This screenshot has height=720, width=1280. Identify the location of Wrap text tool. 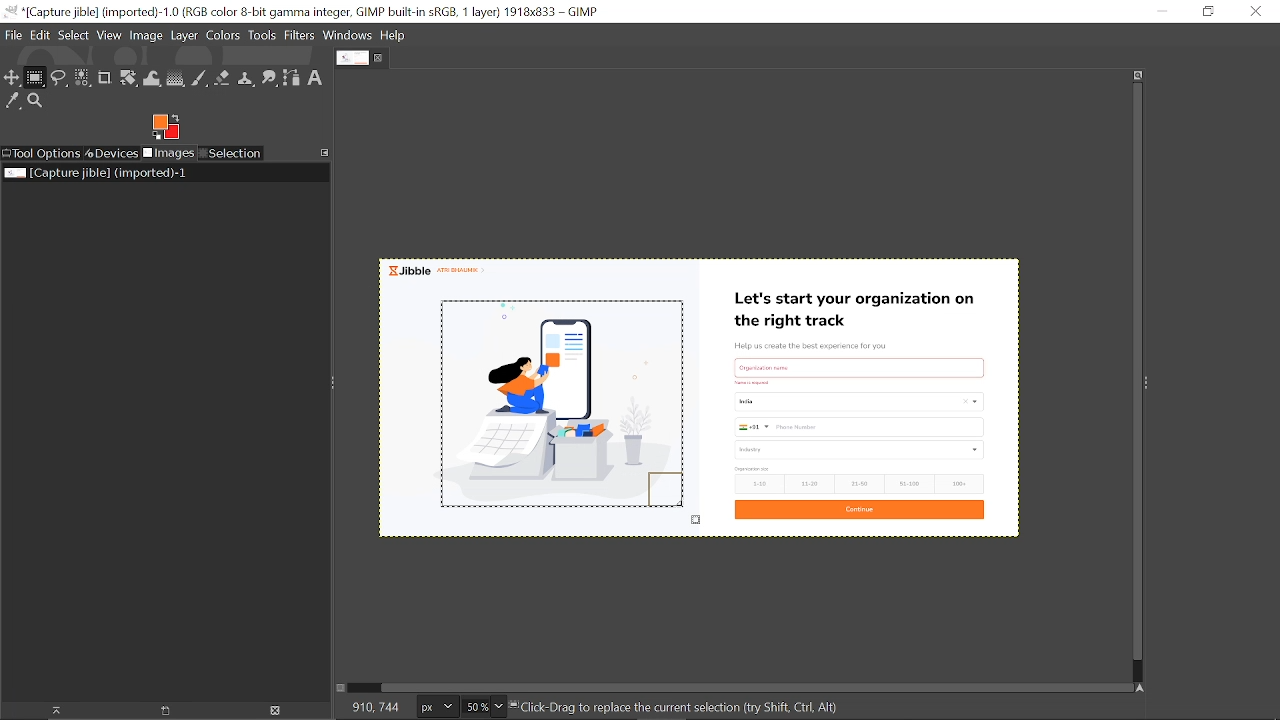
(153, 79).